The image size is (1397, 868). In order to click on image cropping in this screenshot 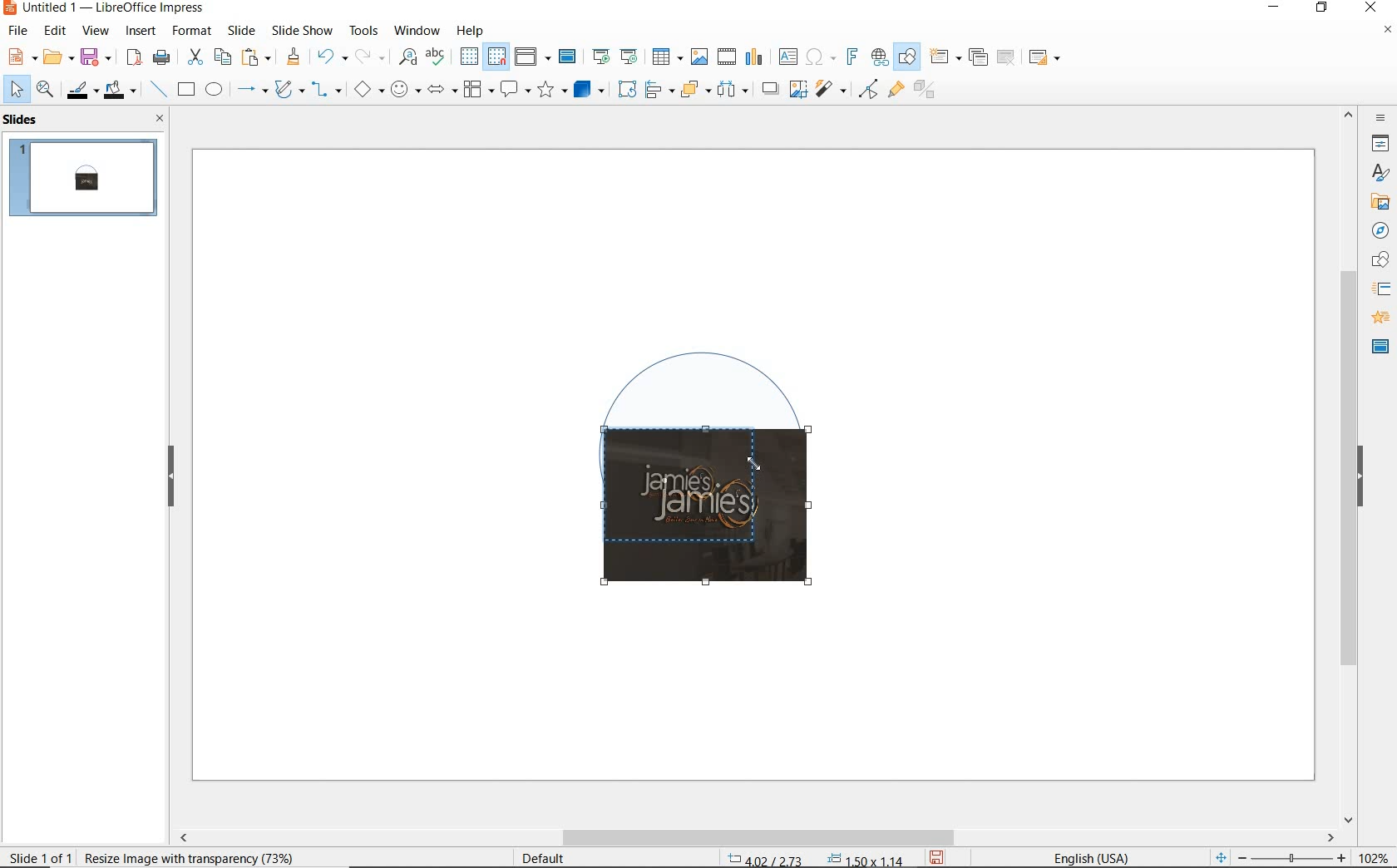, I will do `click(698, 510)`.